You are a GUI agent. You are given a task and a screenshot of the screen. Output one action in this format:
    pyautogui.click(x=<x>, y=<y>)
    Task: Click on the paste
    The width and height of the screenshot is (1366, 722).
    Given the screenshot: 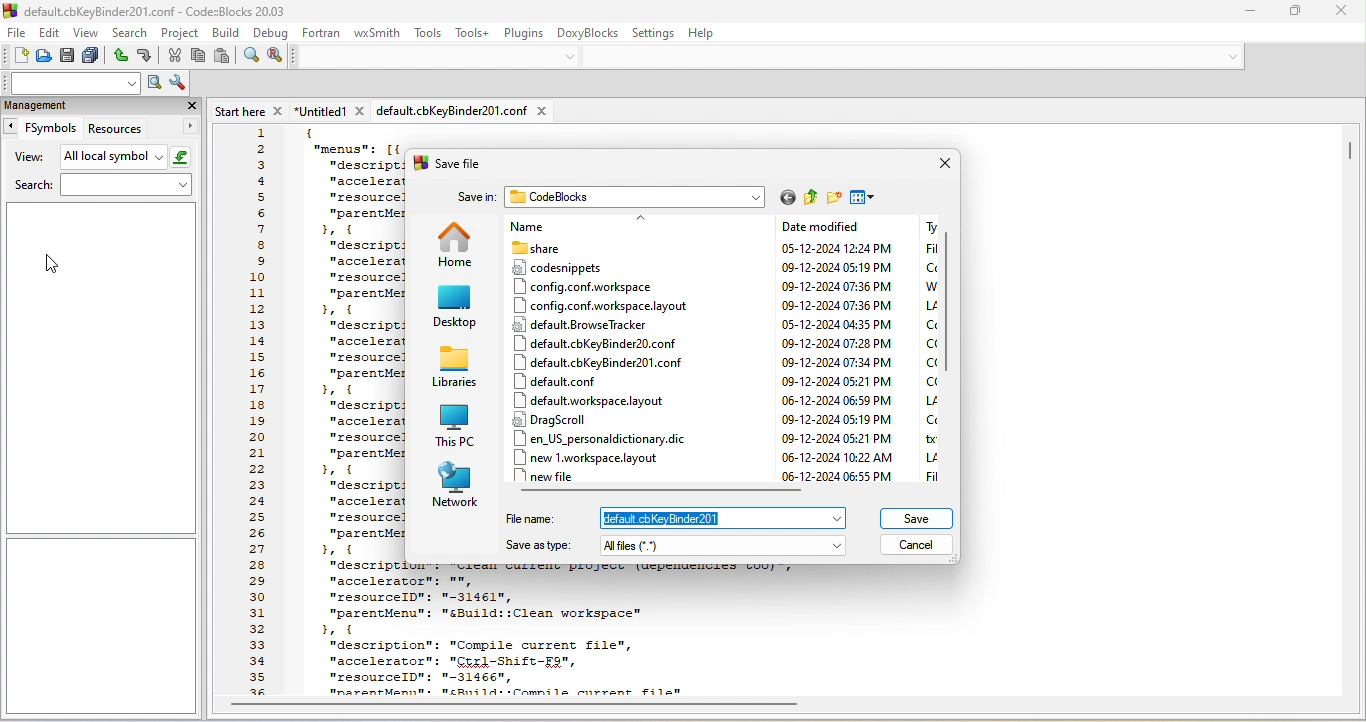 What is the action you would take?
    pyautogui.click(x=222, y=56)
    